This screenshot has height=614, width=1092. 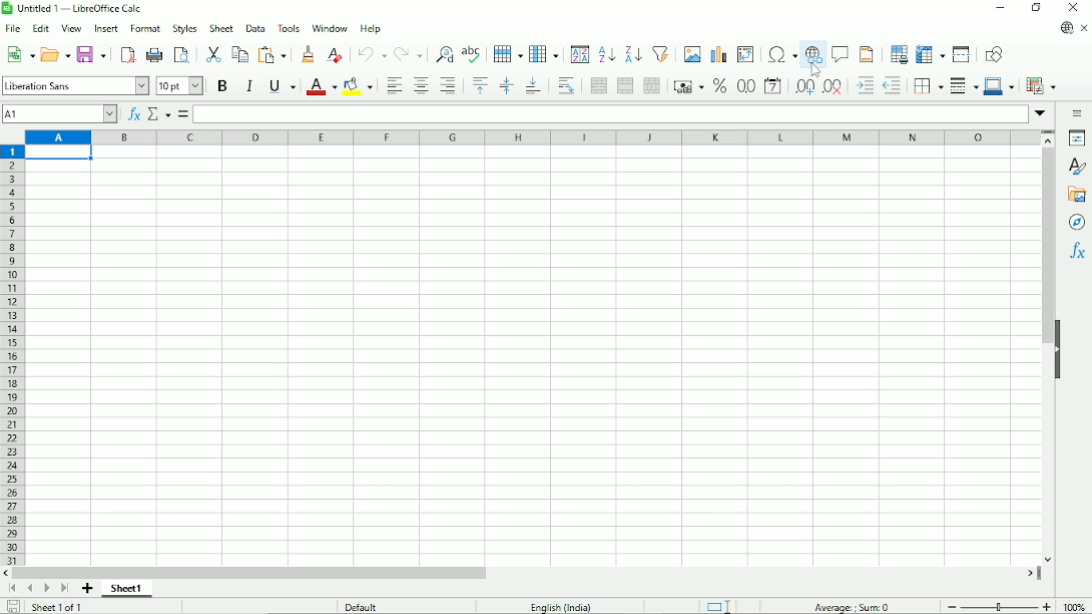 What do you see at coordinates (281, 86) in the screenshot?
I see `Underline` at bounding box center [281, 86].